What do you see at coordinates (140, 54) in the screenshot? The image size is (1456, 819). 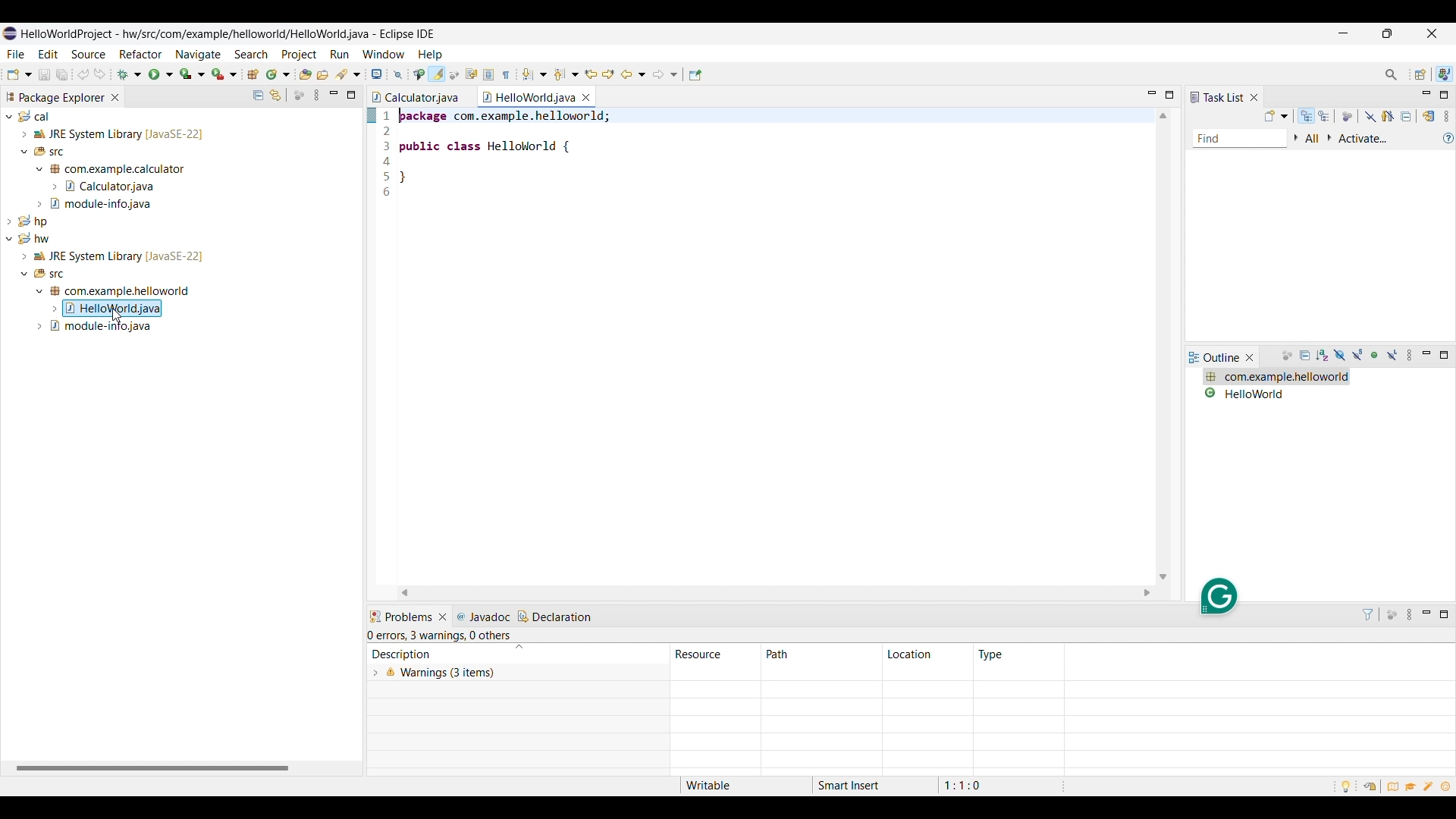 I see `Refactor` at bounding box center [140, 54].